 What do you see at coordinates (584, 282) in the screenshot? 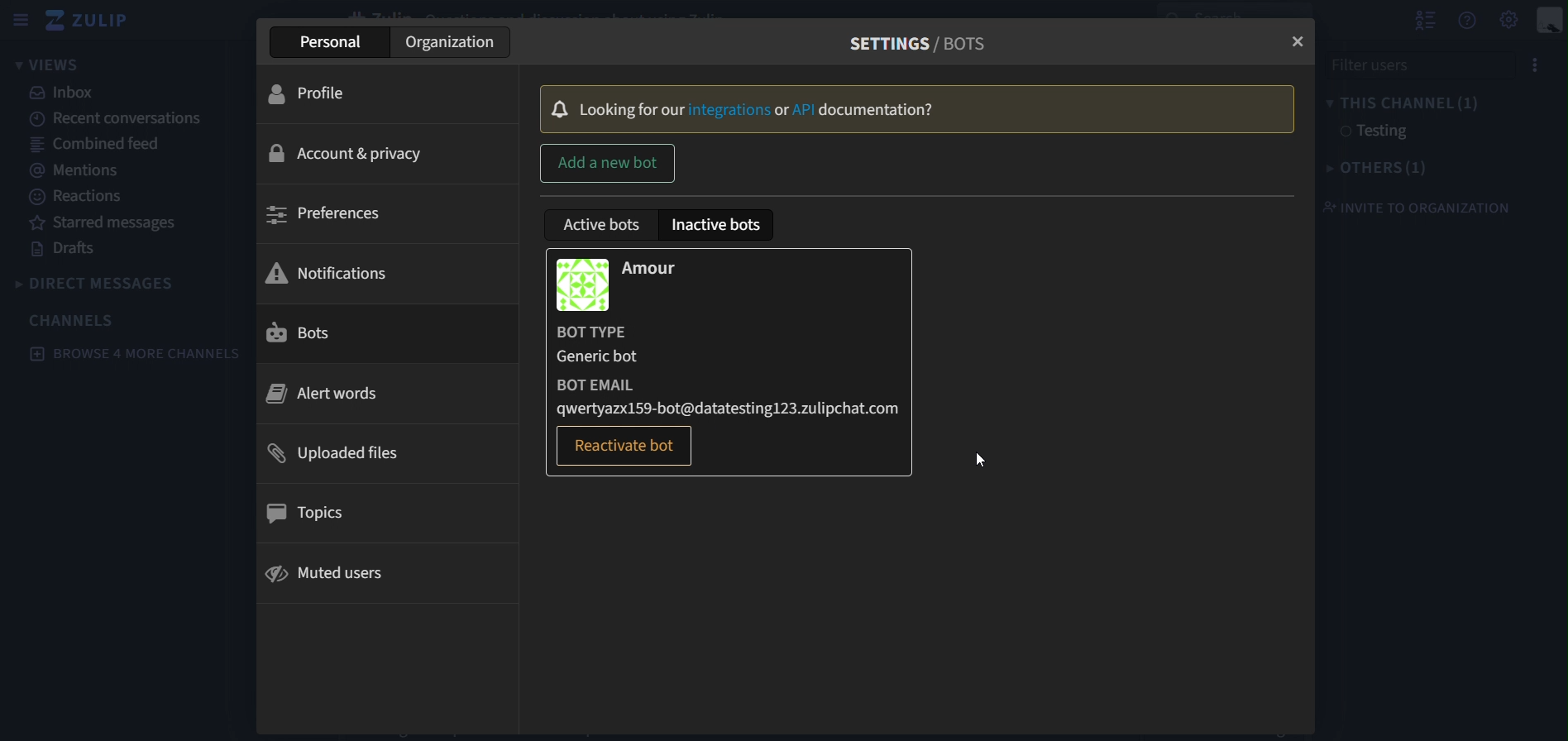
I see `image` at bounding box center [584, 282].